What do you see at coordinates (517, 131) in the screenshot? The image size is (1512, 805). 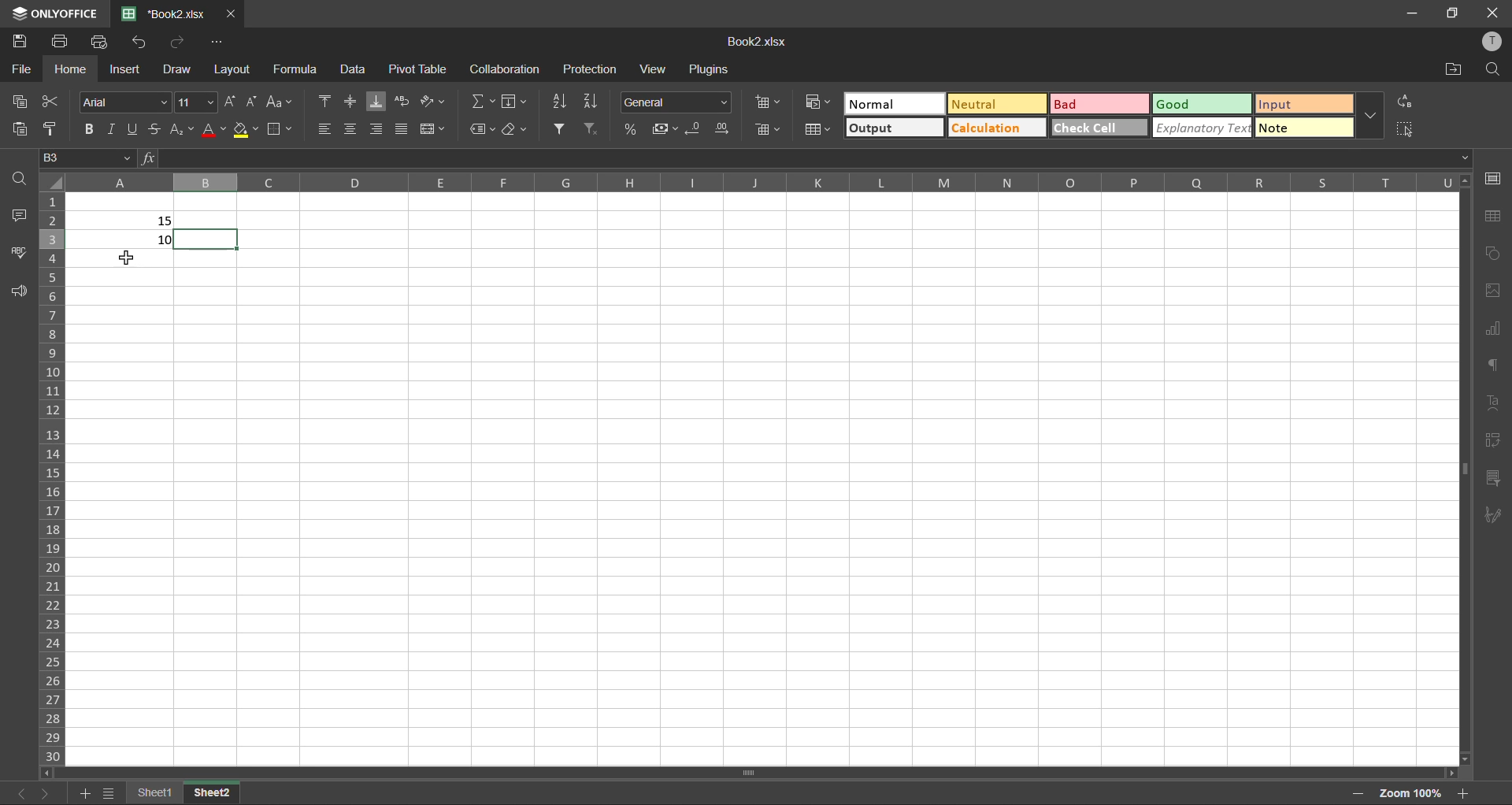 I see `clear all` at bounding box center [517, 131].